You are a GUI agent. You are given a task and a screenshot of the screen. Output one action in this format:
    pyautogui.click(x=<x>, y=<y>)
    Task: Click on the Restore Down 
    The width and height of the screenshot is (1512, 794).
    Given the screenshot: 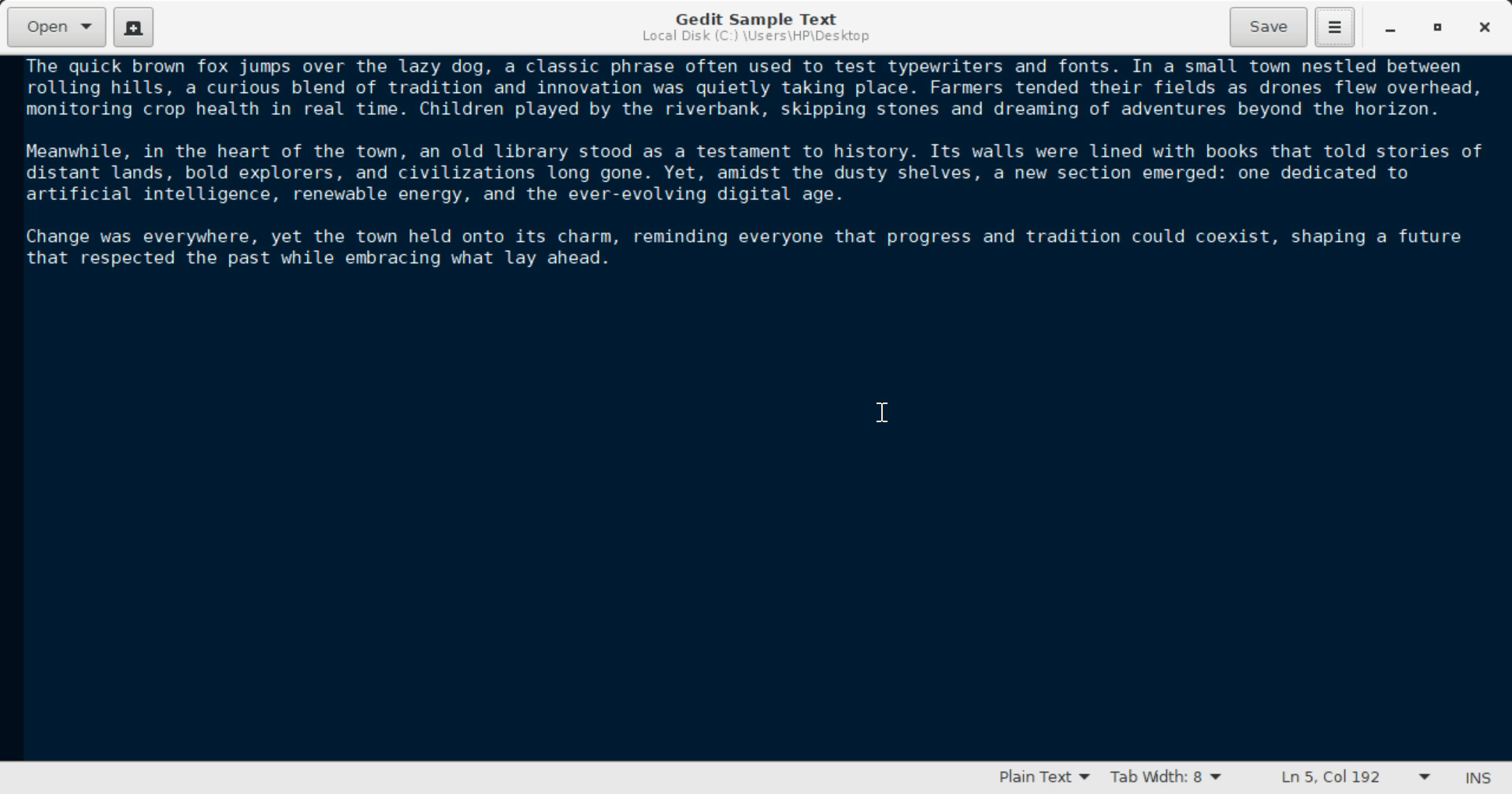 What is the action you would take?
    pyautogui.click(x=1391, y=28)
    